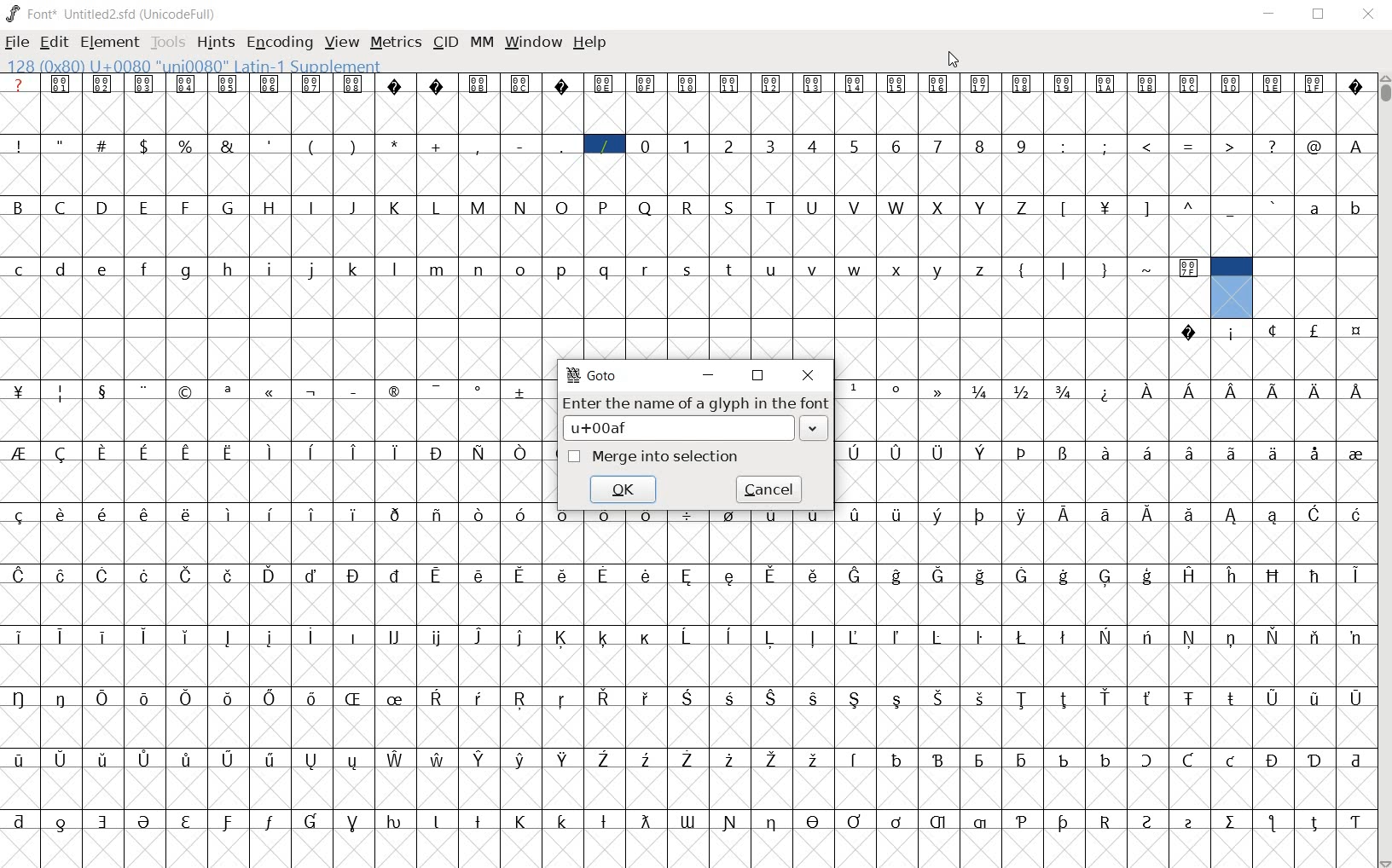  Describe the element at coordinates (757, 375) in the screenshot. I see `Maximize` at that location.